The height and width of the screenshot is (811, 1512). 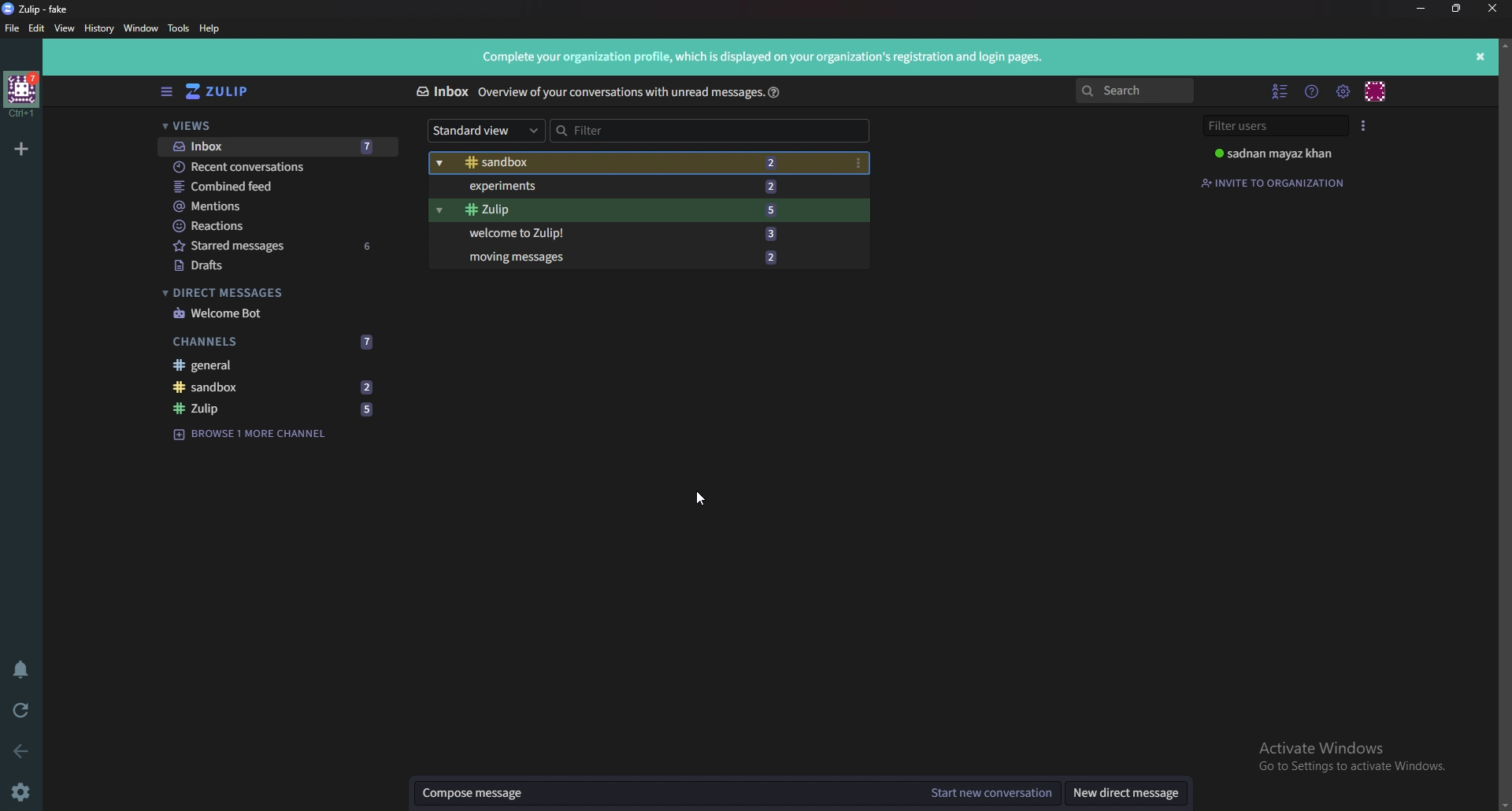 What do you see at coordinates (212, 28) in the screenshot?
I see `Help` at bounding box center [212, 28].